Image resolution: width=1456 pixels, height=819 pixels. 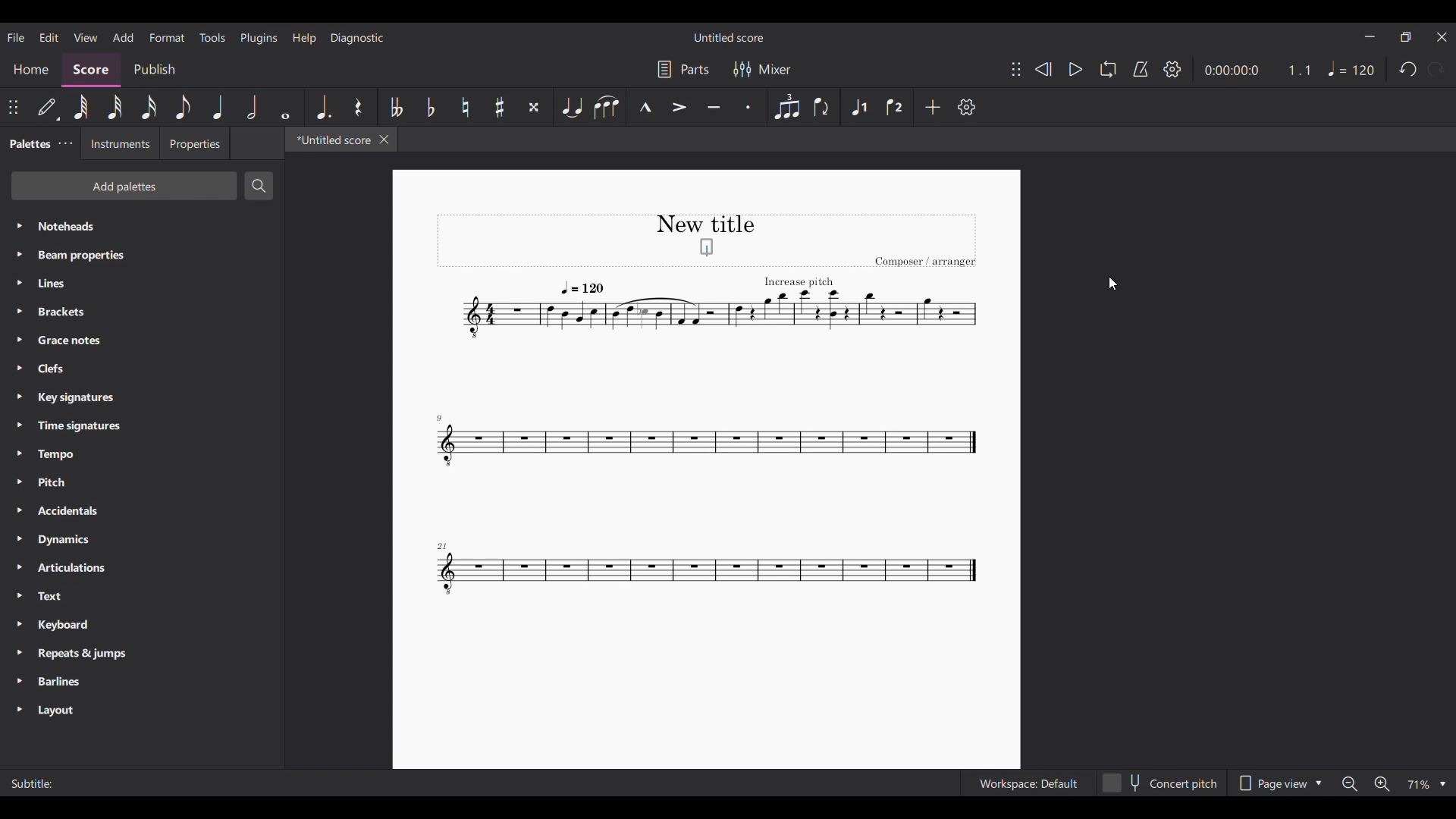 I want to click on Add palettes, so click(x=124, y=186).